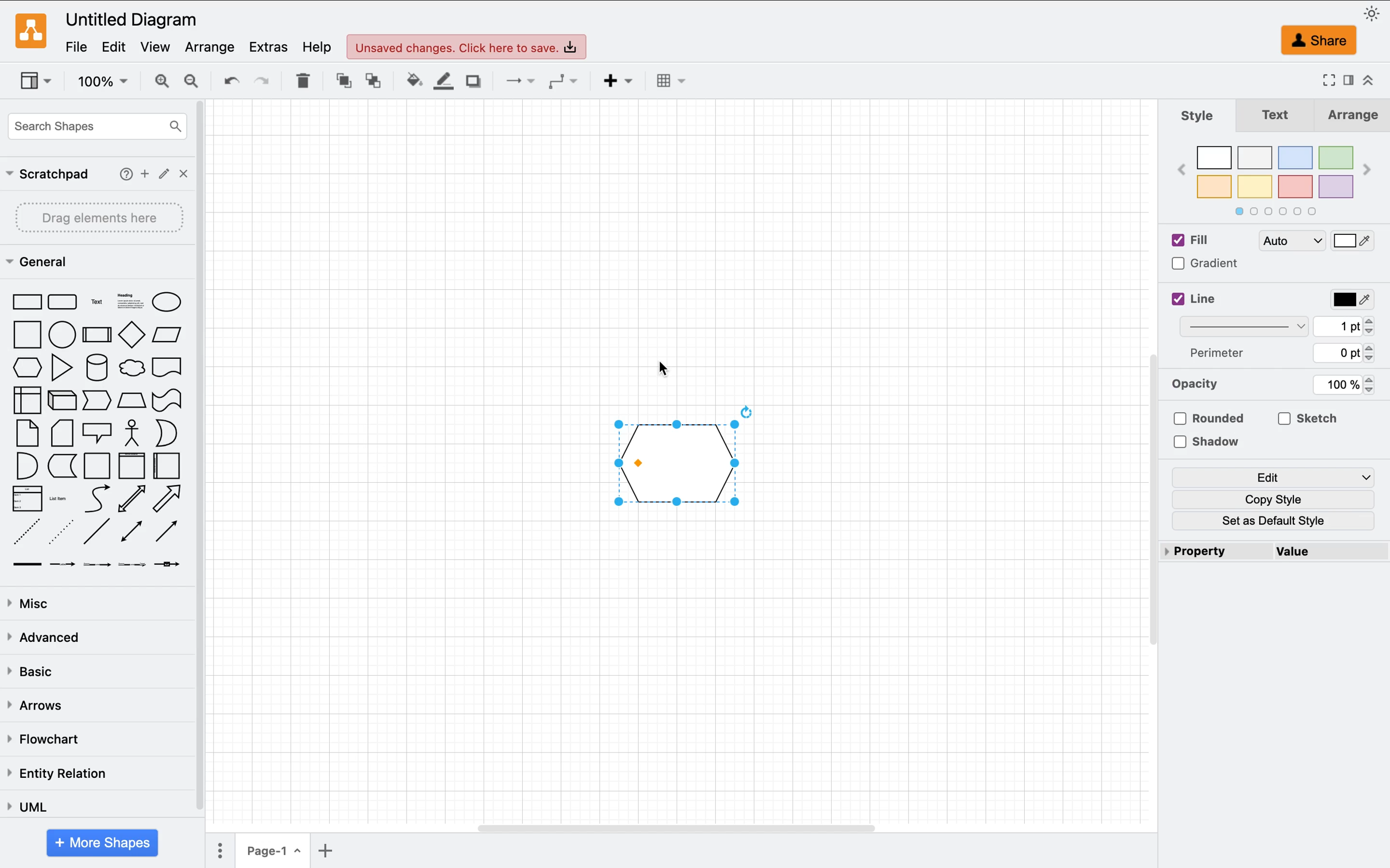  Describe the element at coordinates (406, 80) in the screenshot. I see `fill color` at that location.